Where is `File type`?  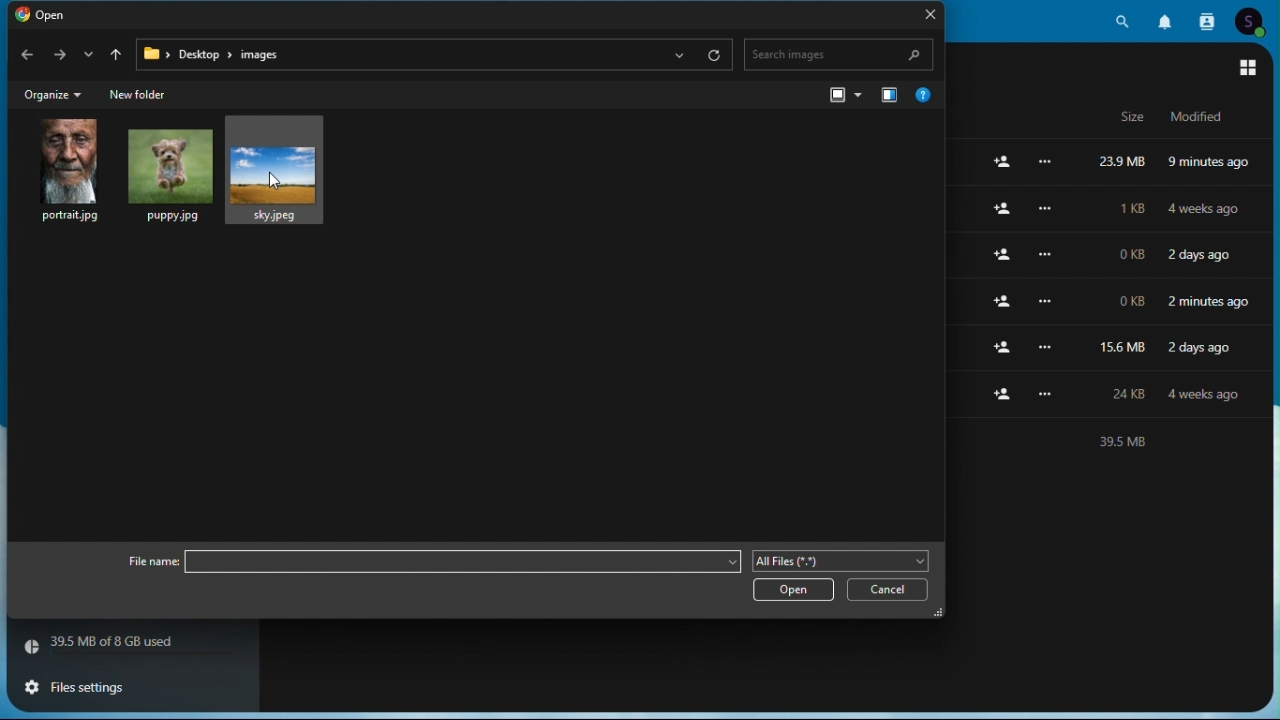
File type is located at coordinates (842, 560).